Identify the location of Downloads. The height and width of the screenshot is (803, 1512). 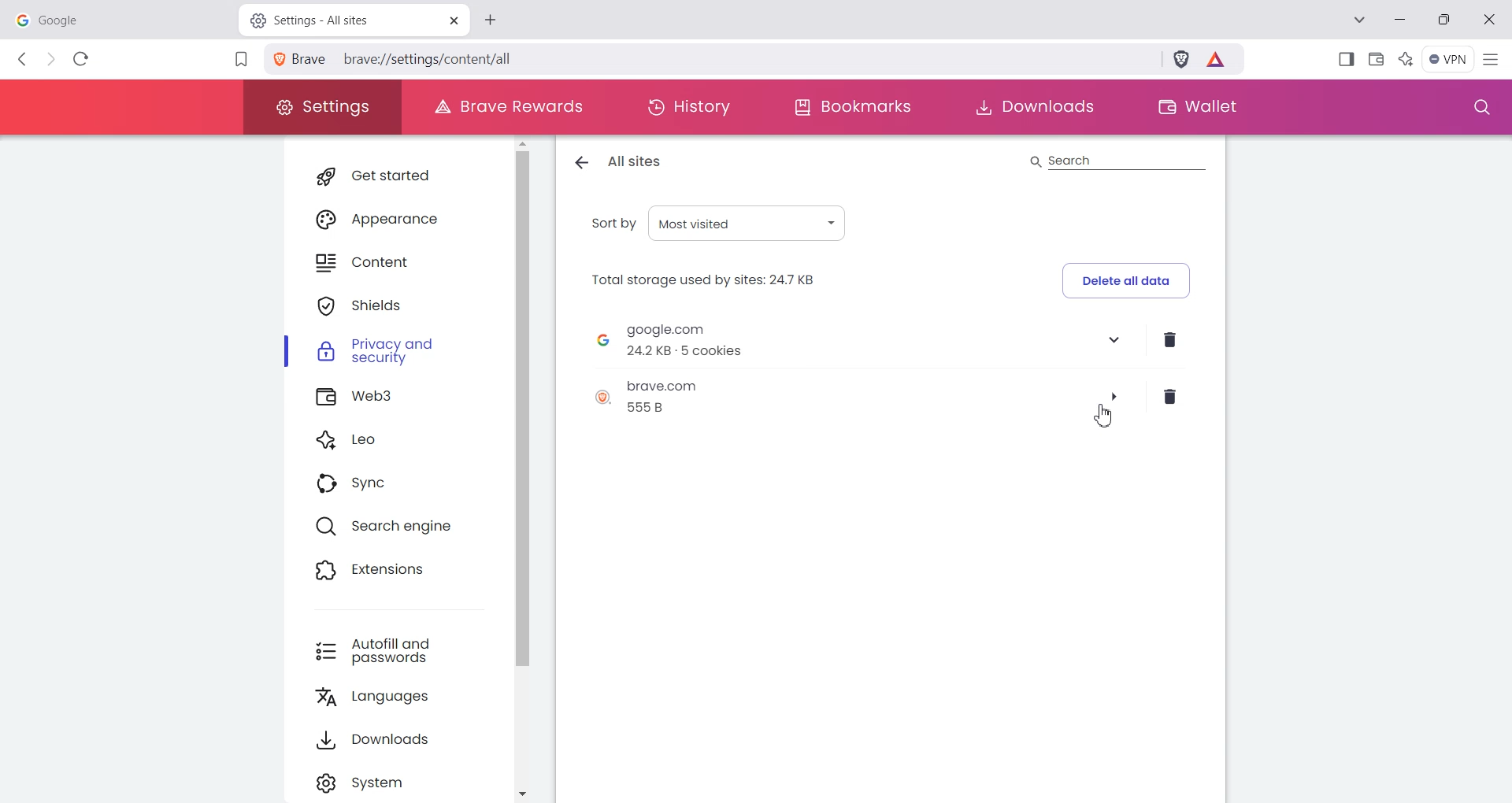
(1033, 107).